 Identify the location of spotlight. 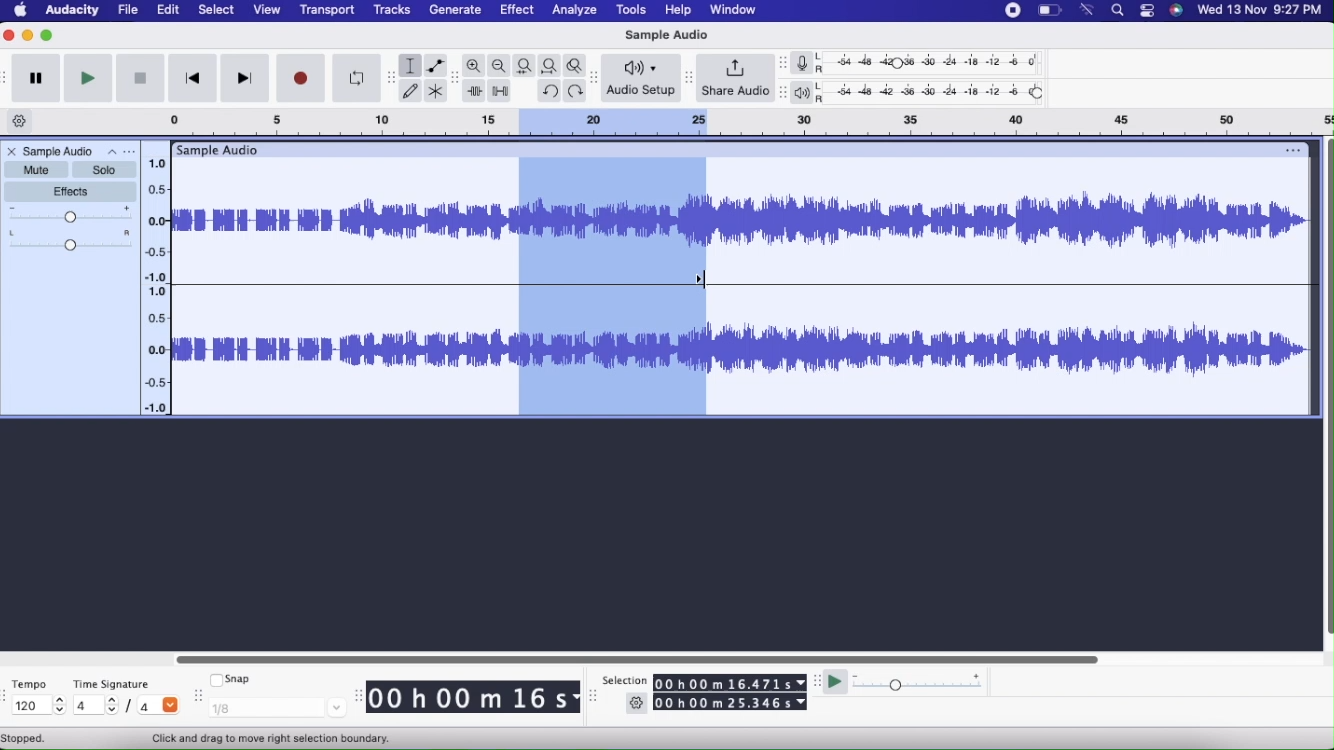
(1118, 12).